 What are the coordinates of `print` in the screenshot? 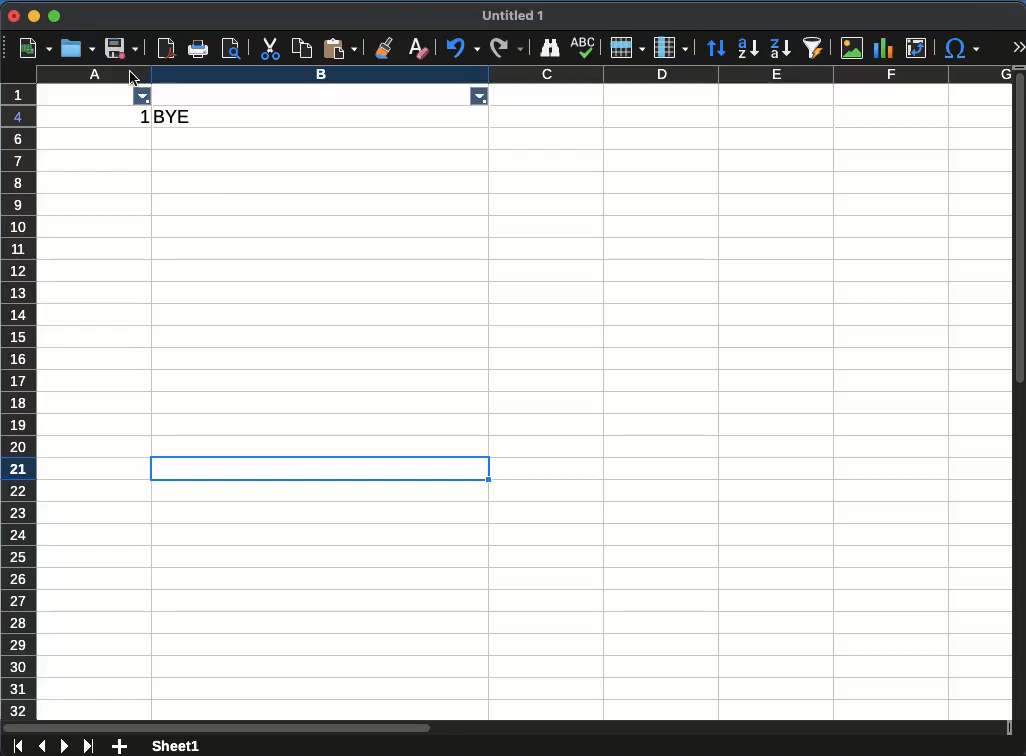 It's located at (199, 48).